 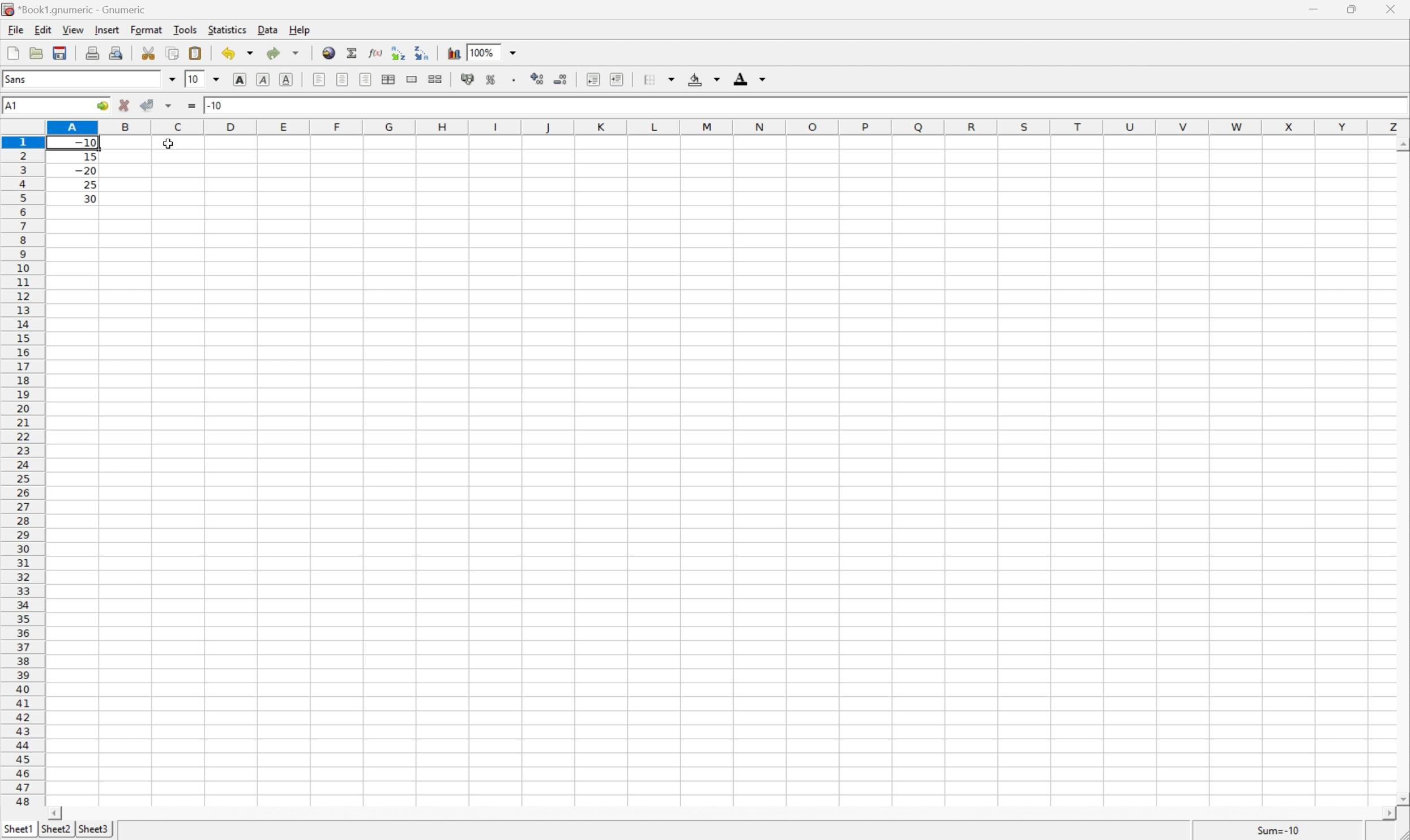 What do you see at coordinates (353, 53) in the screenshot?
I see `Sum into the current cell` at bounding box center [353, 53].